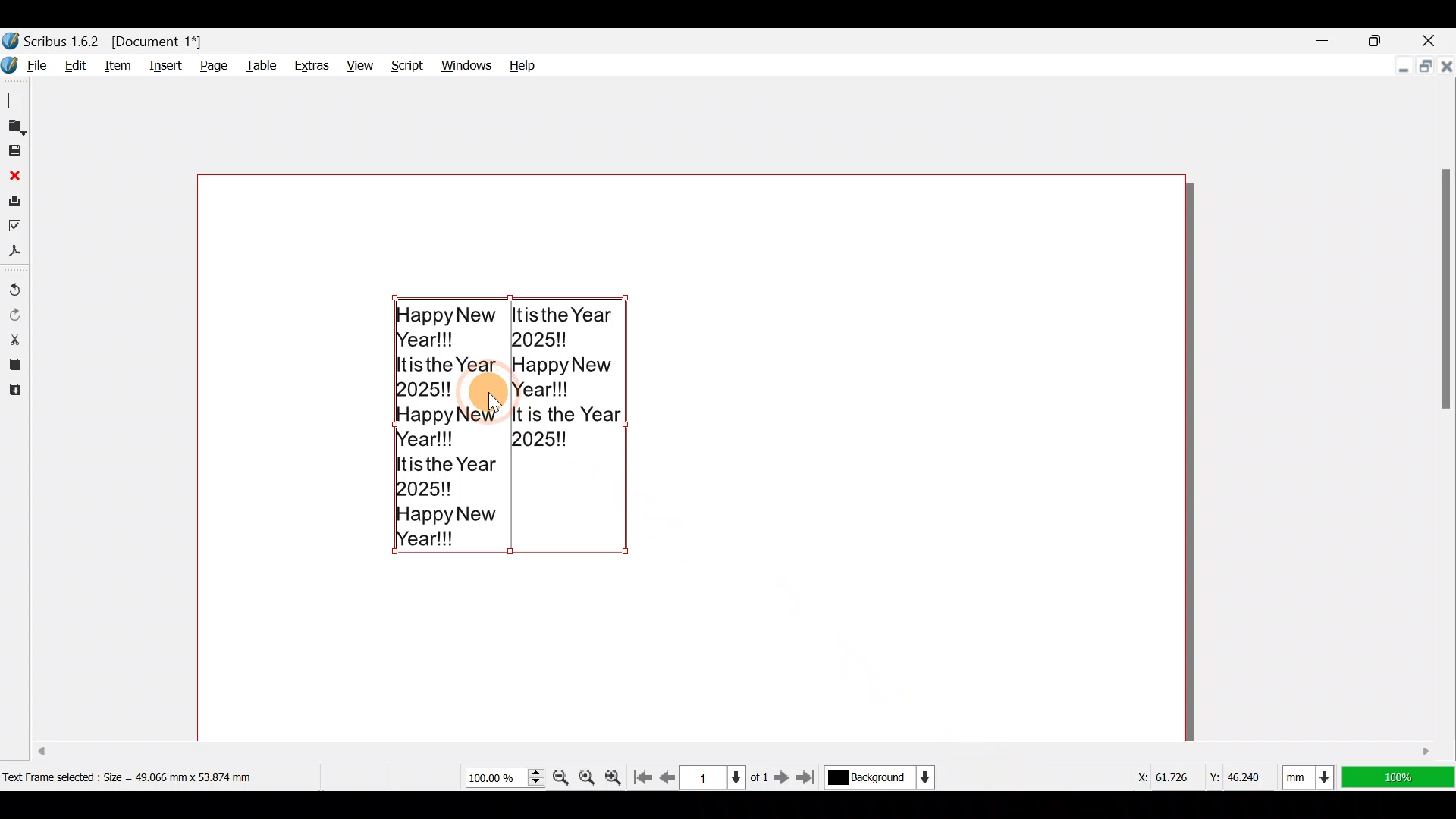  I want to click on Scroll bar, so click(1441, 418).